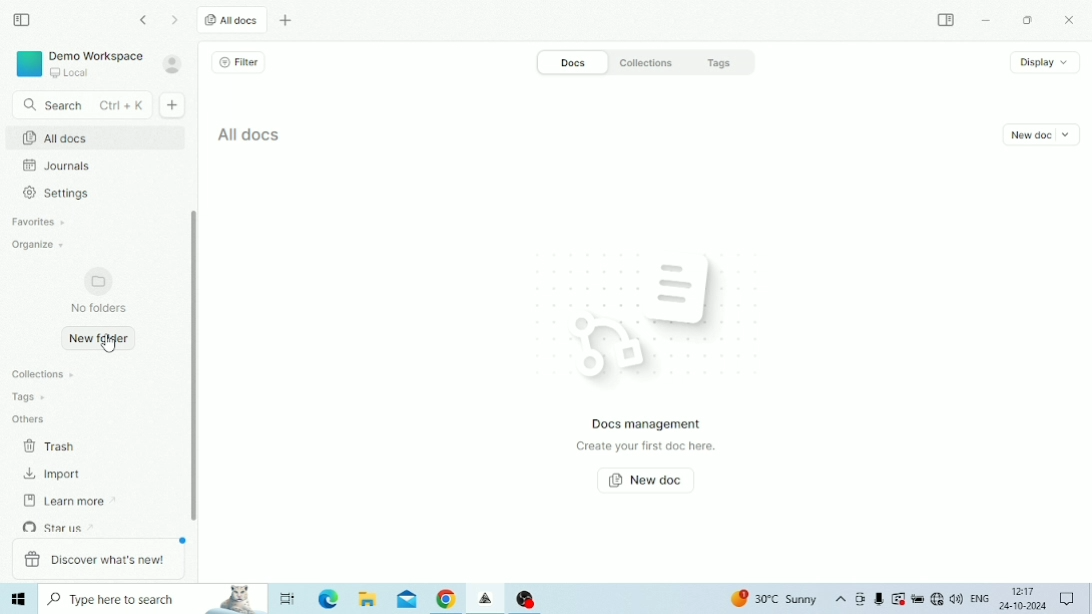 This screenshot has height=614, width=1092. I want to click on Tags, so click(730, 62).